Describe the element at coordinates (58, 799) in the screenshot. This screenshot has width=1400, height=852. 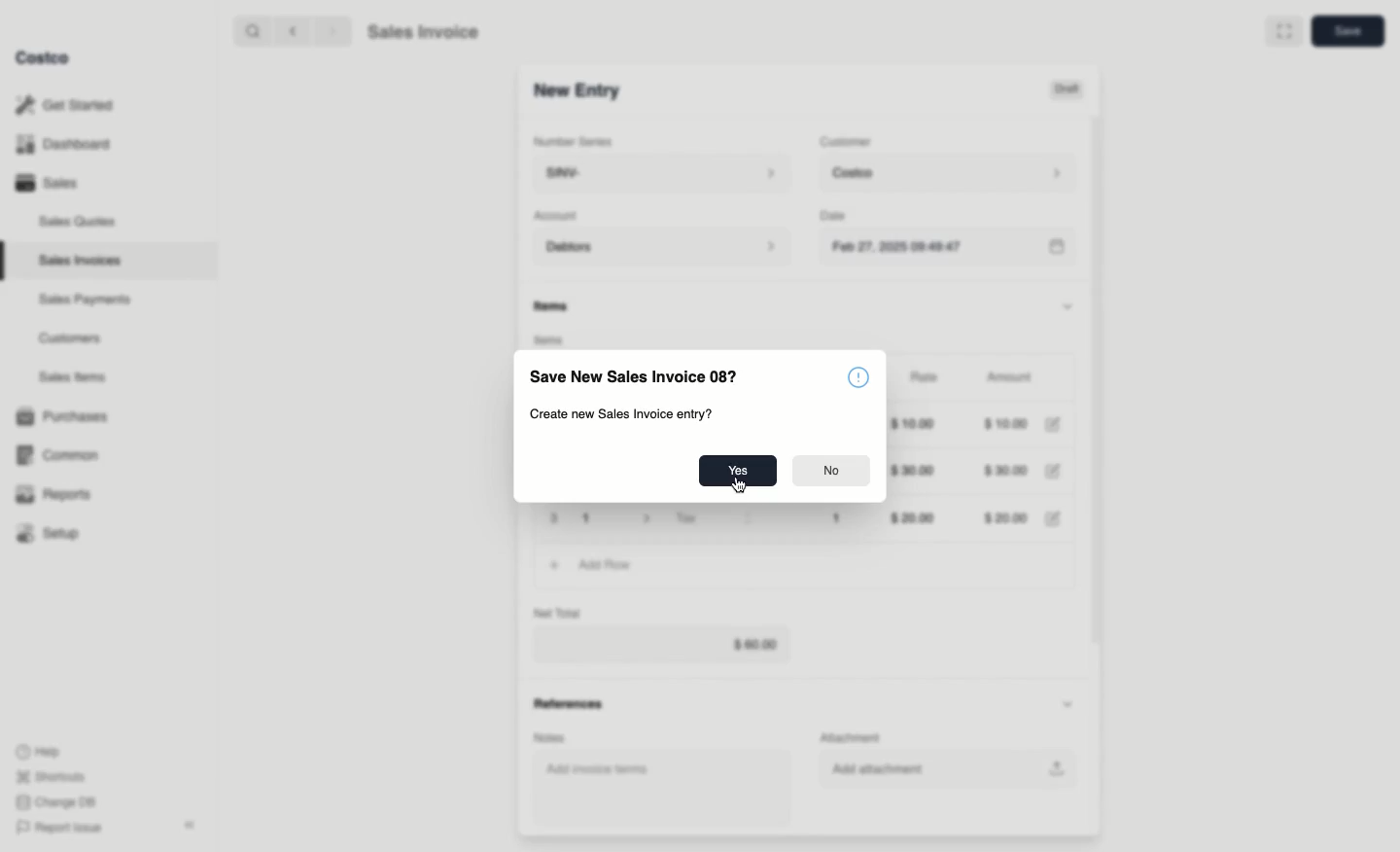
I see `Change DB` at that location.